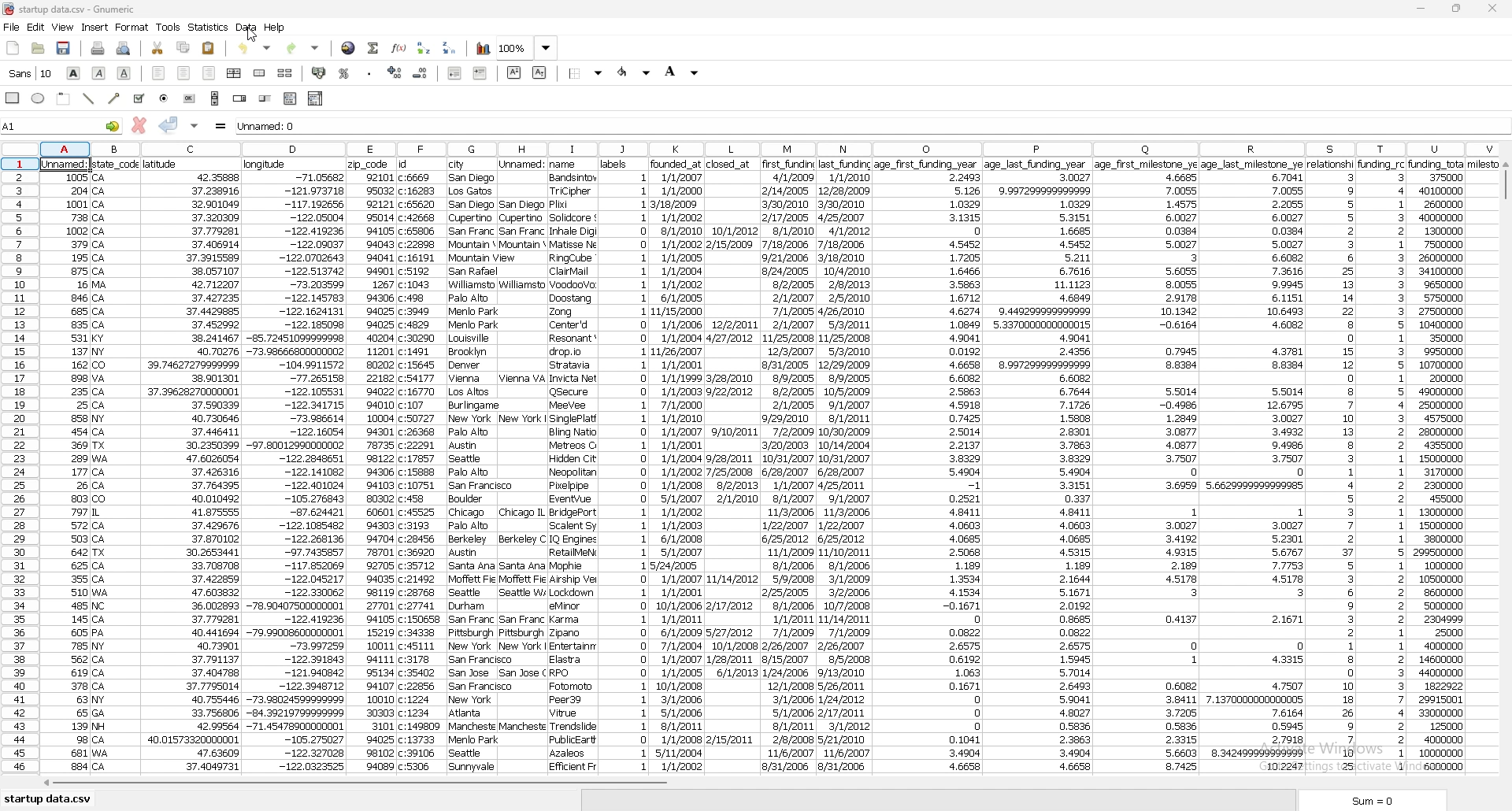  I want to click on increase decimals, so click(395, 72).